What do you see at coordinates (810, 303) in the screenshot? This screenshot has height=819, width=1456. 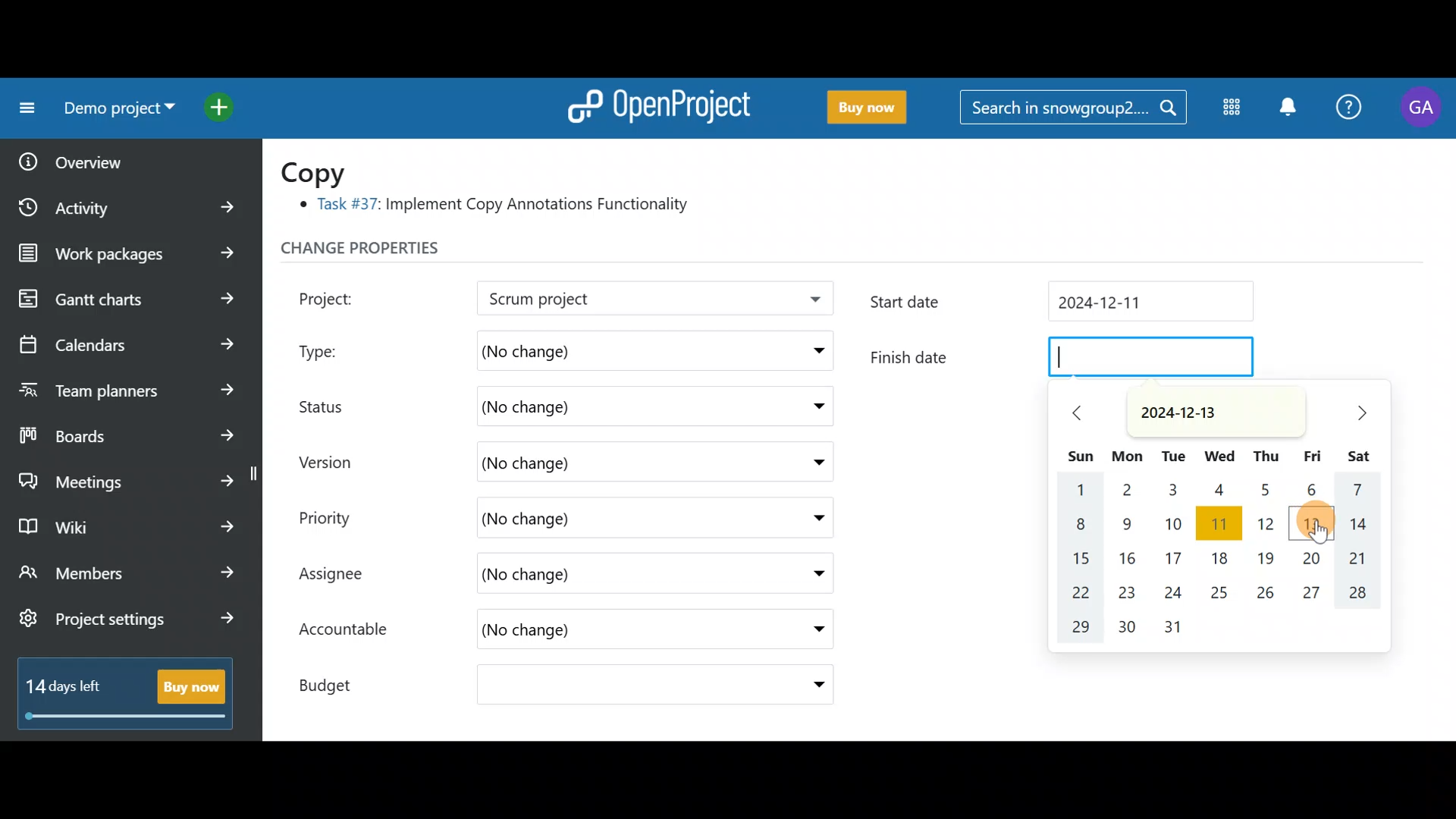 I see `Project drop down` at bounding box center [810, 303].